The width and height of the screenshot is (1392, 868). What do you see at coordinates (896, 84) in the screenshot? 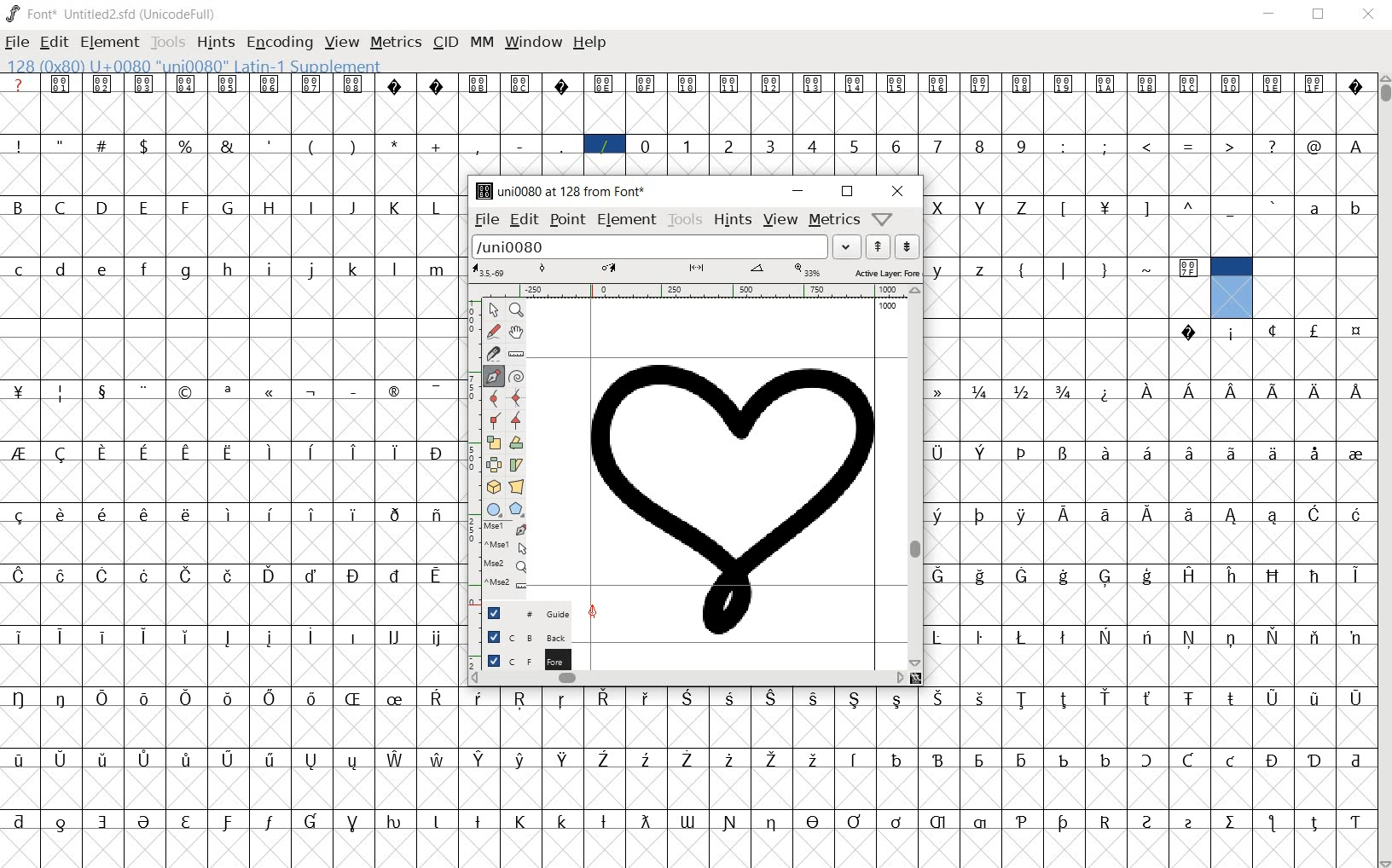
I see `glyph` at bounding box center [896, 84].